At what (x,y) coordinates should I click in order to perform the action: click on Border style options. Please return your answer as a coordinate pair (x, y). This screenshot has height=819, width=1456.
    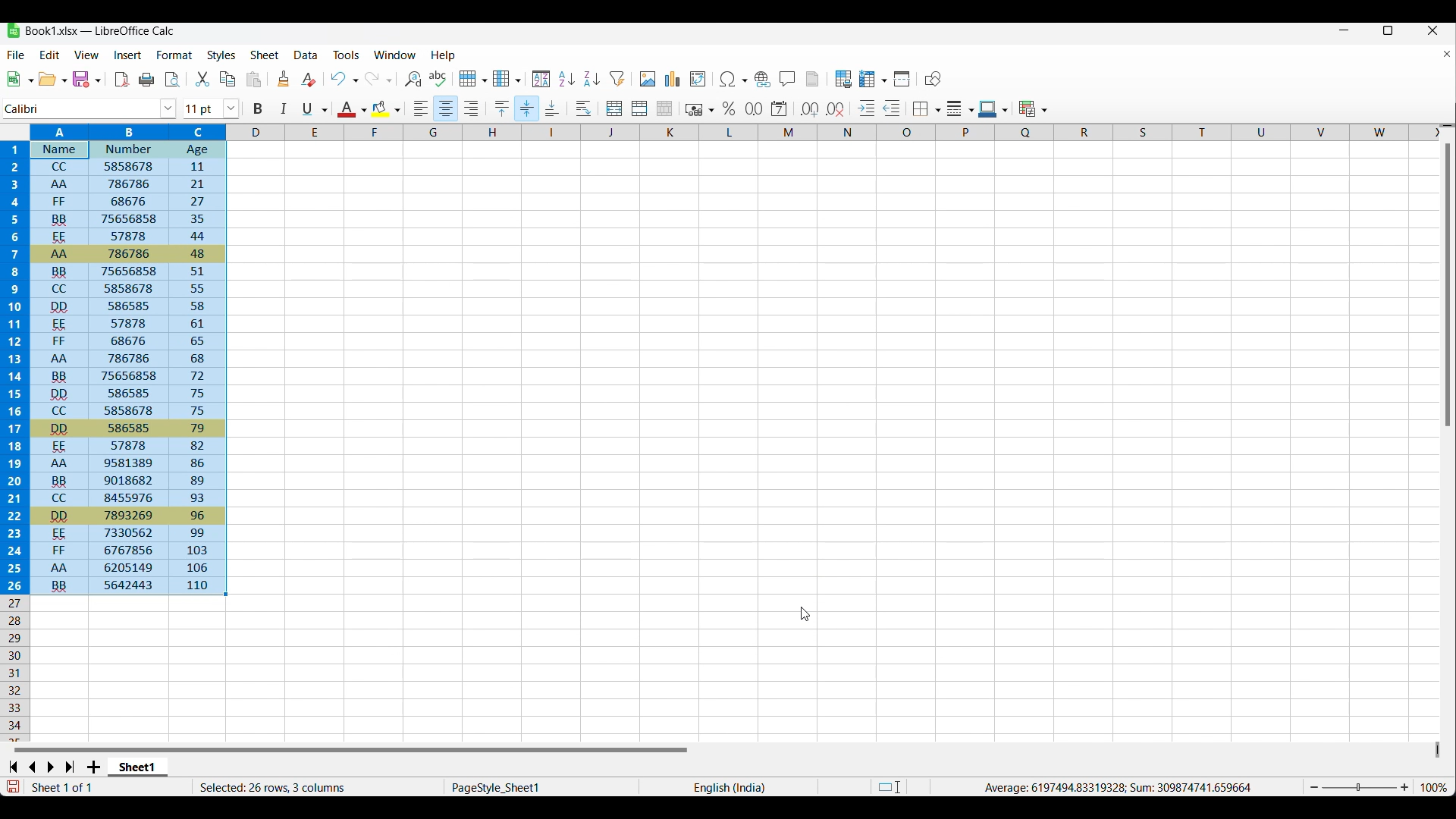
    Looking at the image, I should click on (961, 109).